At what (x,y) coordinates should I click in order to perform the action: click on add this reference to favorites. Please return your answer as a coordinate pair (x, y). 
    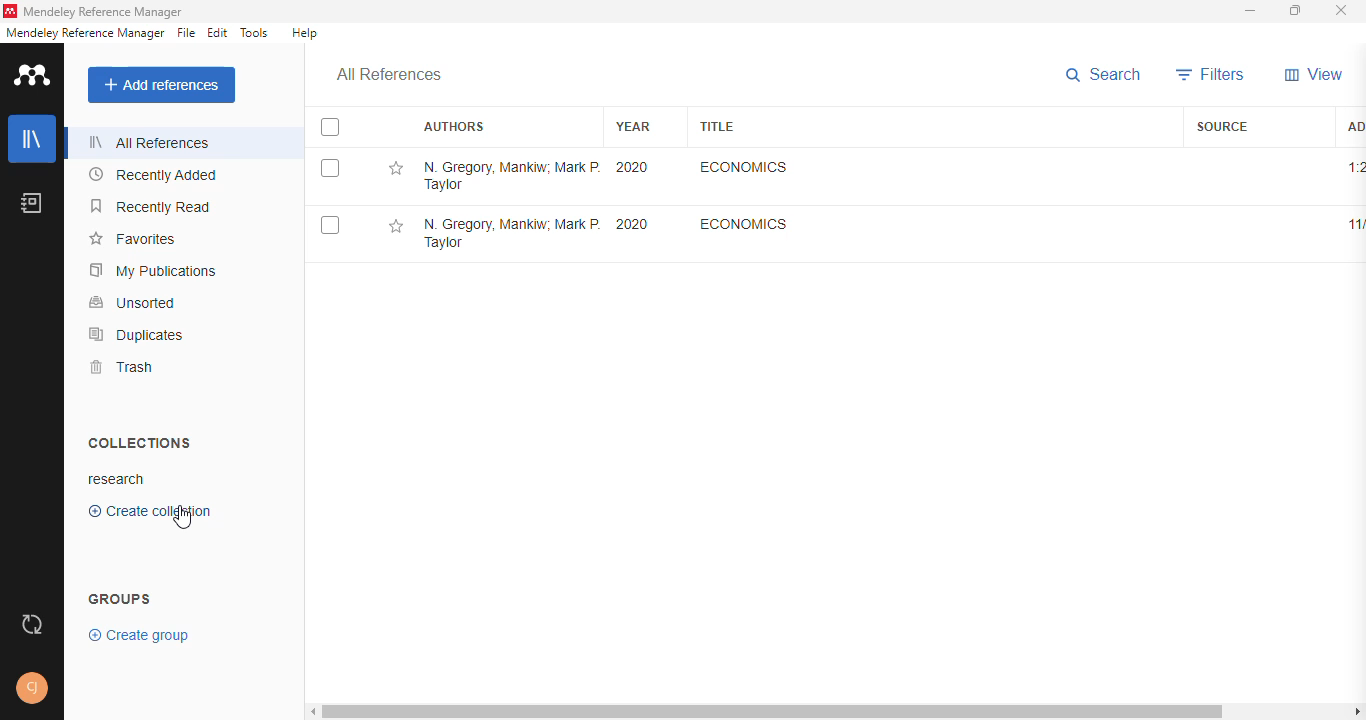
    Looking at the image, I should click on (395, 169).